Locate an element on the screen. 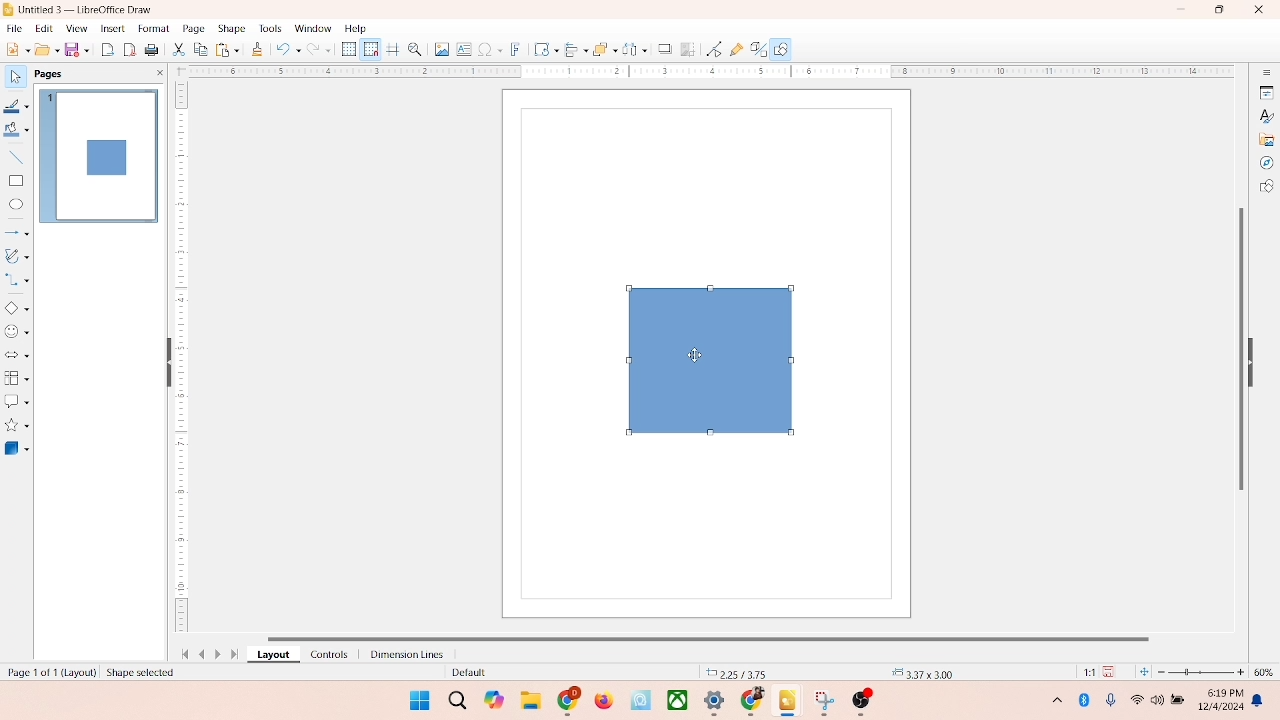 The width and height of the screenshot is (1280, 720). next page is located at coordinates (220, 654).